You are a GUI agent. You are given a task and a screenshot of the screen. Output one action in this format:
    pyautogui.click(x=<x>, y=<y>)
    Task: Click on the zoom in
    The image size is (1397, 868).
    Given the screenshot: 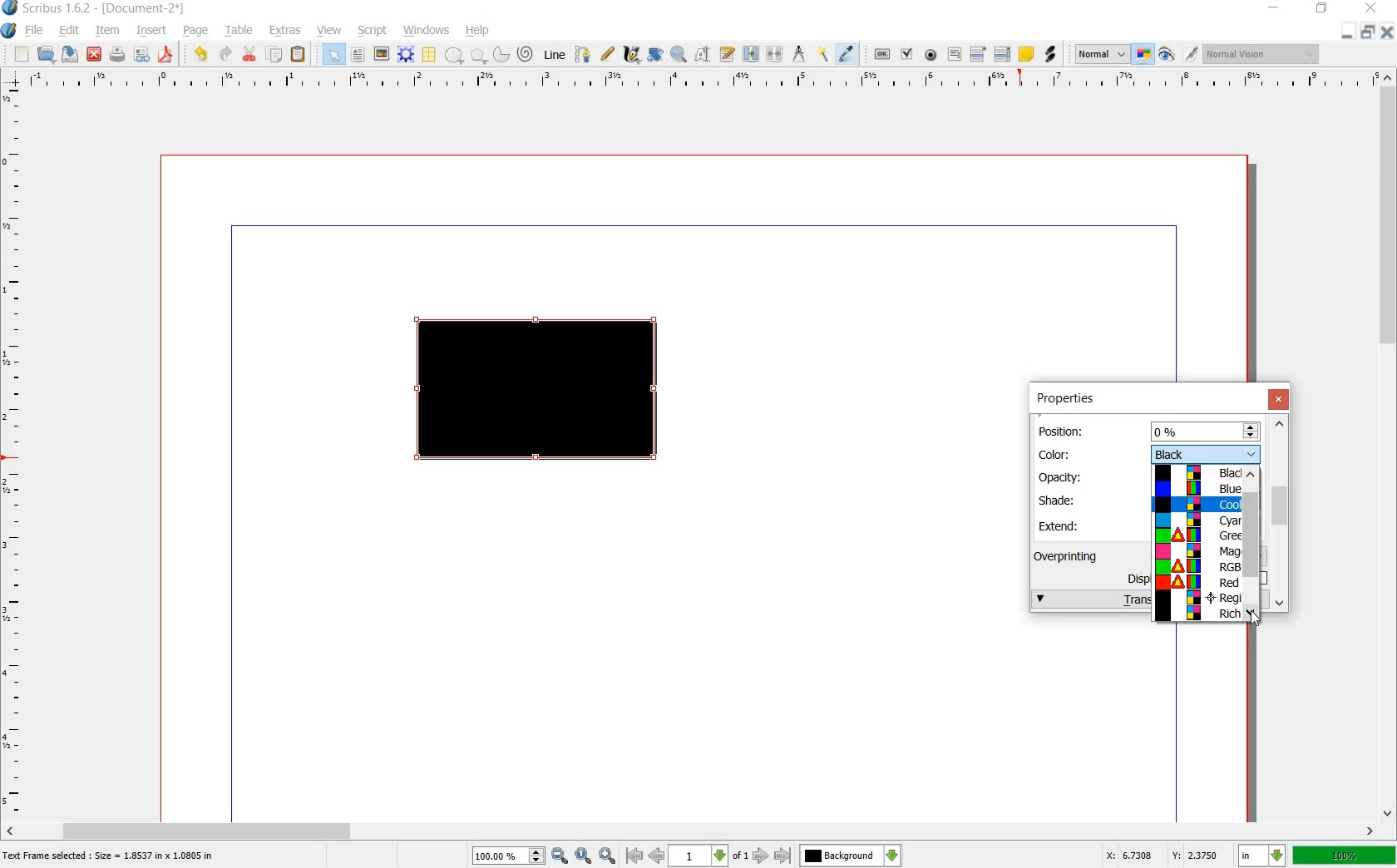 What is the action you would take?
    pyautogui.click(x=608, y=856)
    